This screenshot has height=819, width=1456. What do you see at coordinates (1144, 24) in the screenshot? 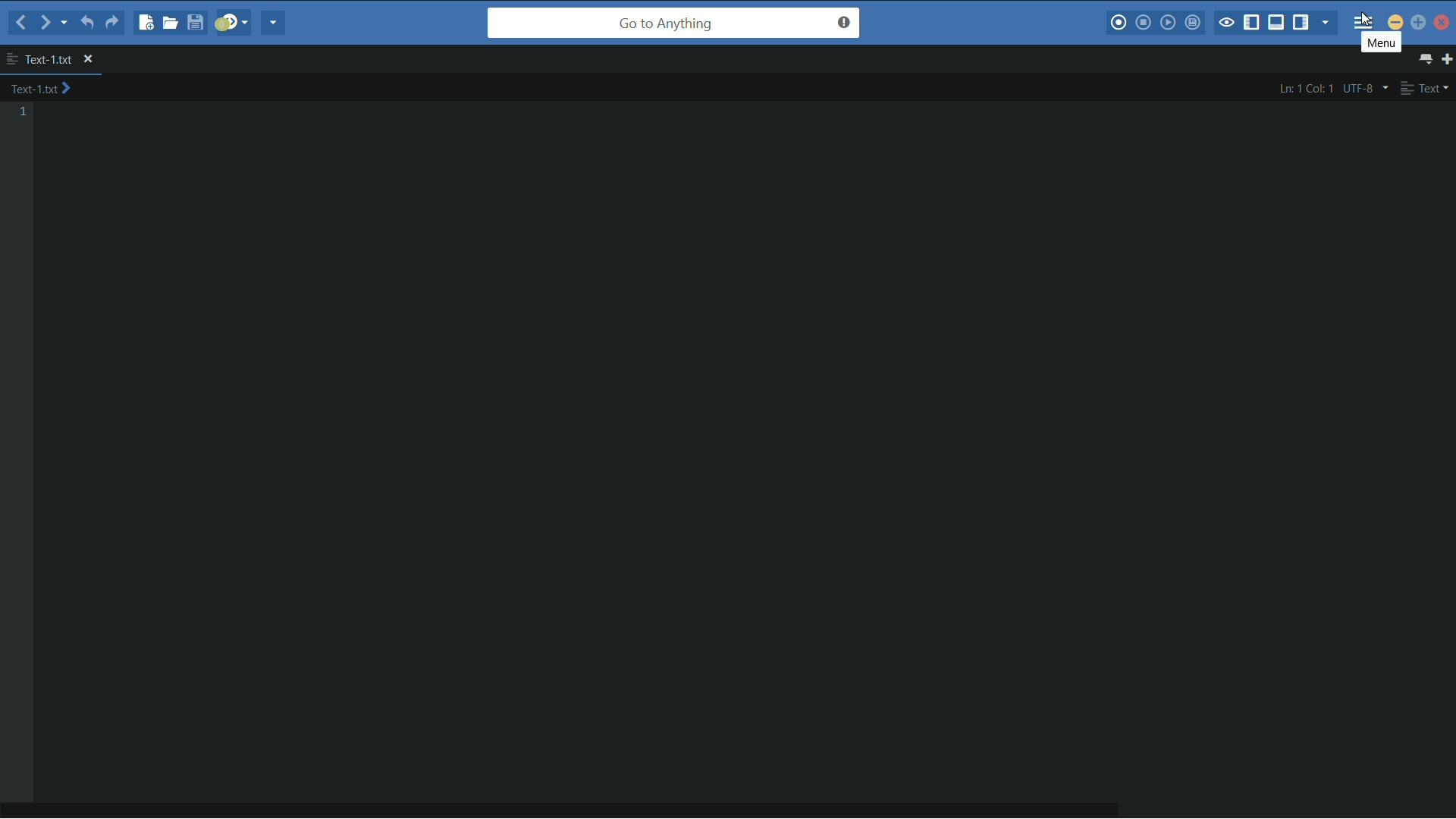
I see `stop macro` at bounding box center [1144, 24].